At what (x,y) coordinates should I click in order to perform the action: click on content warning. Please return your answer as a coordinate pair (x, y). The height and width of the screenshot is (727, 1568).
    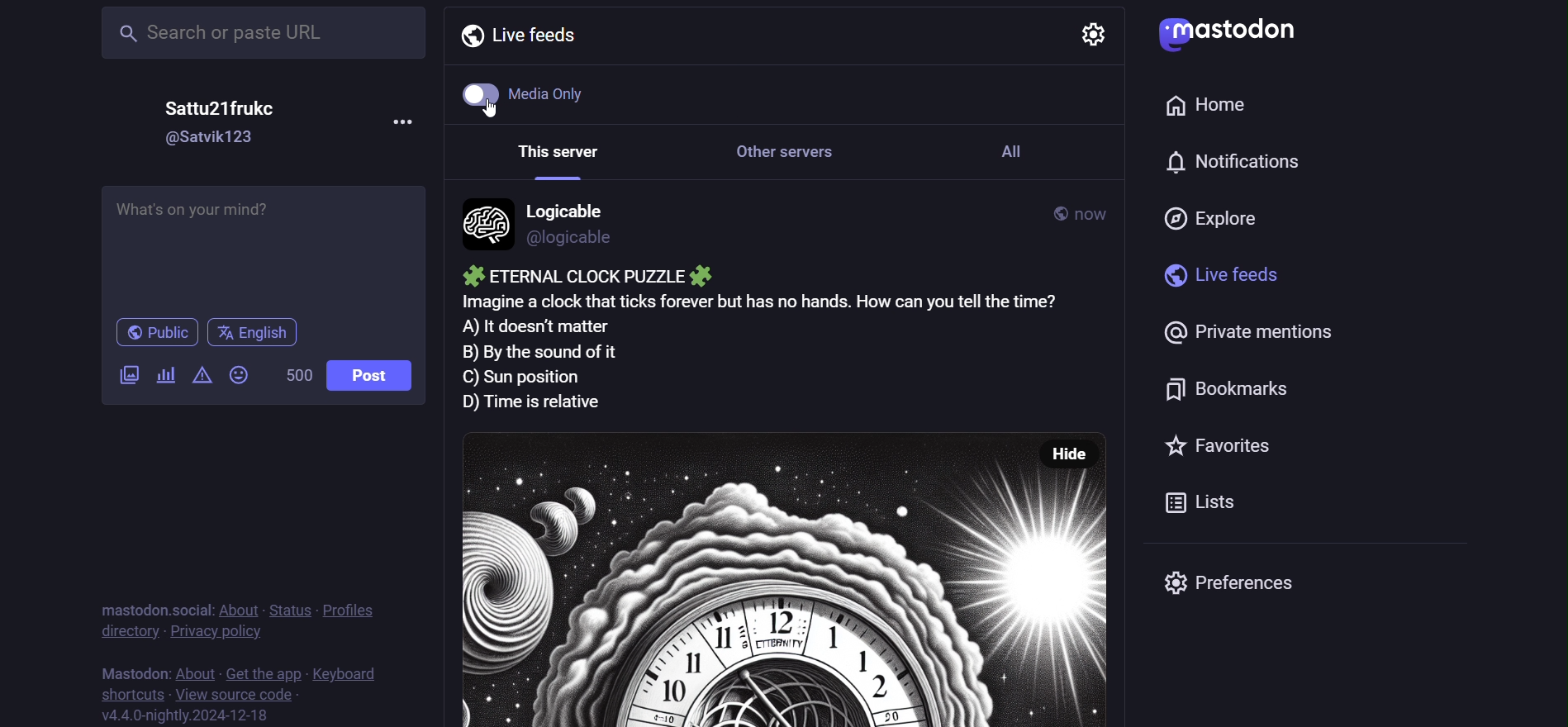
    Looking at the image, I should click on (200, 377).